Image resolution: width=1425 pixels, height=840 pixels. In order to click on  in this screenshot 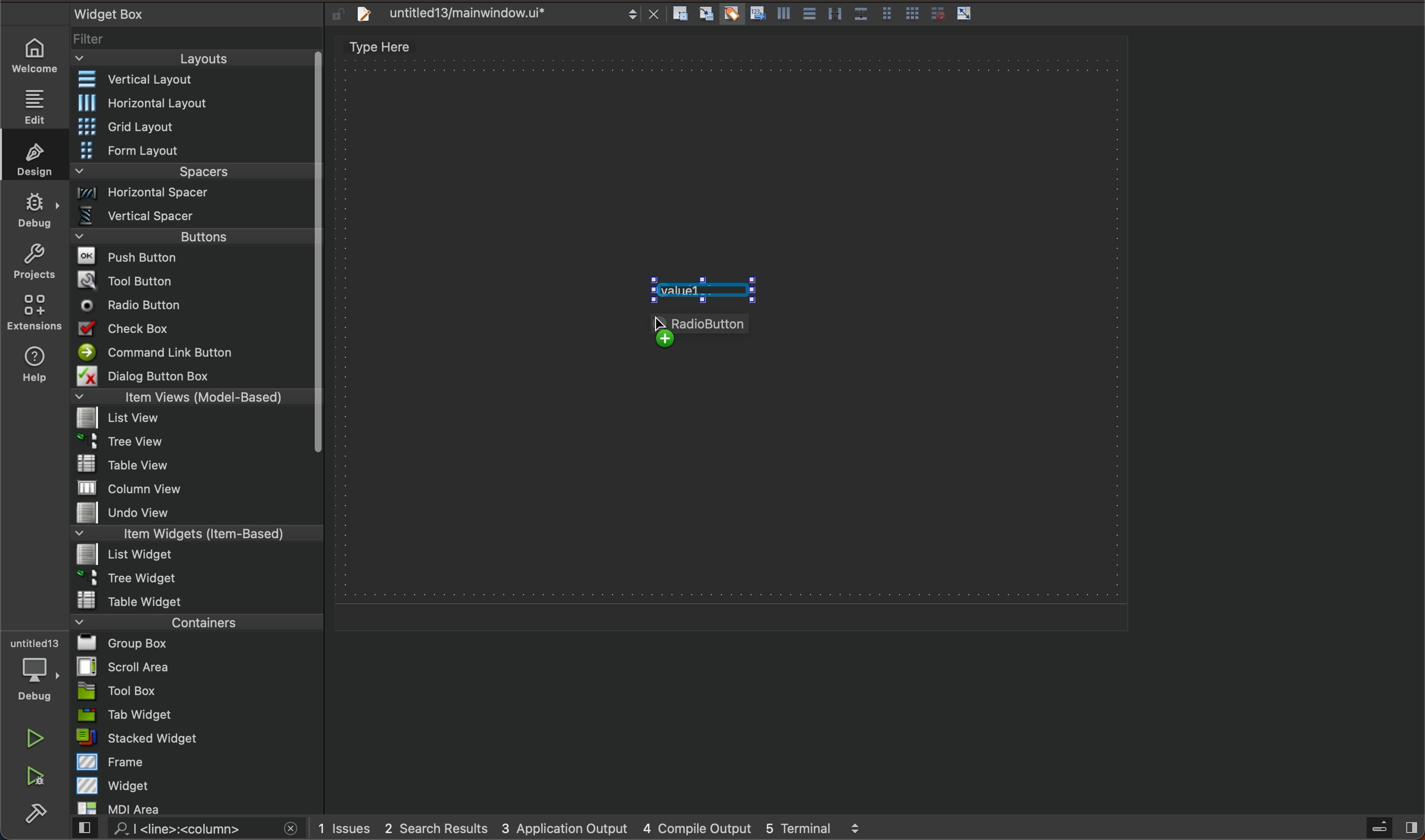, I will do `click(756, 15)`.